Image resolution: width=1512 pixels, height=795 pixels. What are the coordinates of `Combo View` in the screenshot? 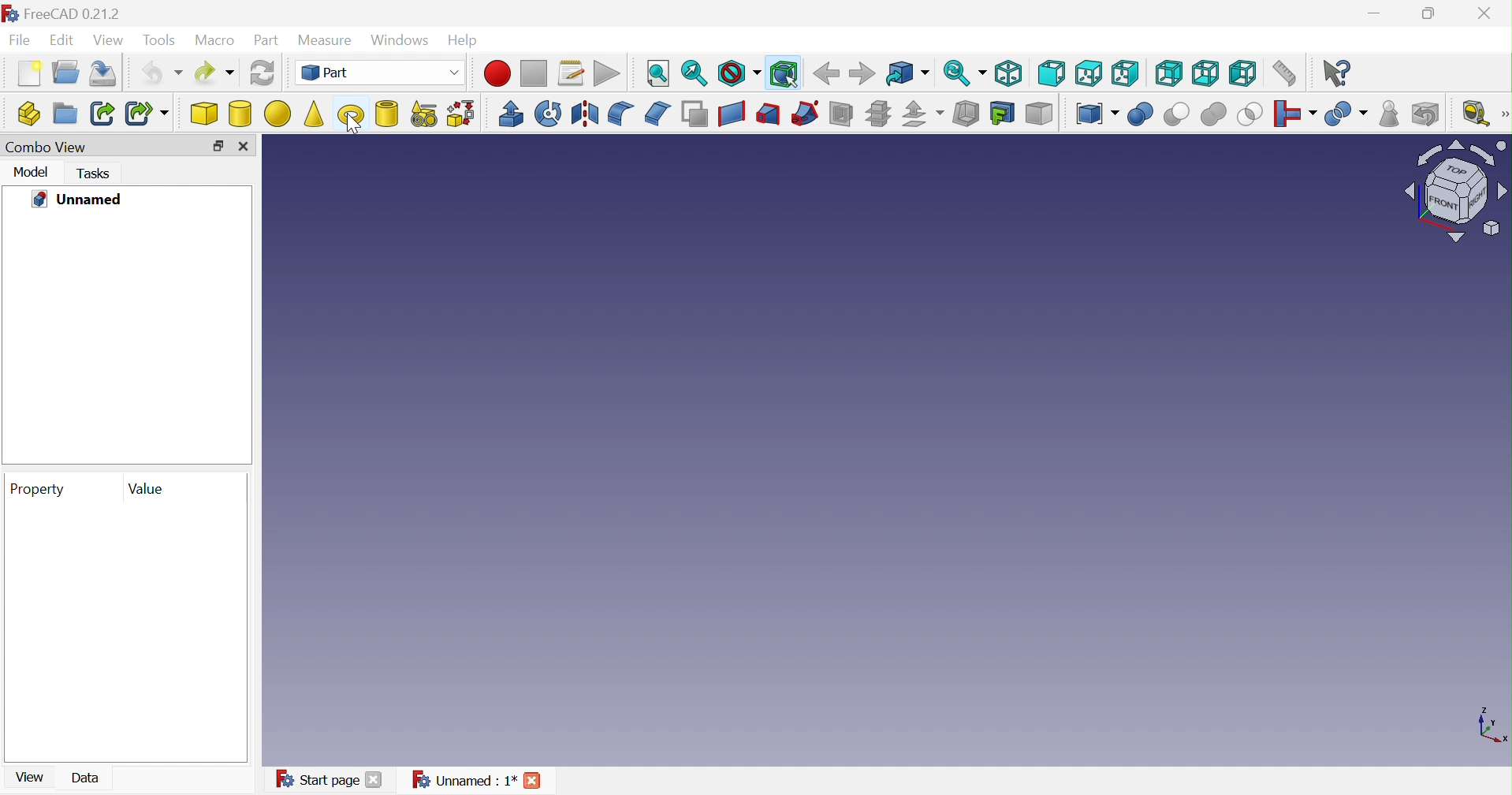 It's located at (47, 146).